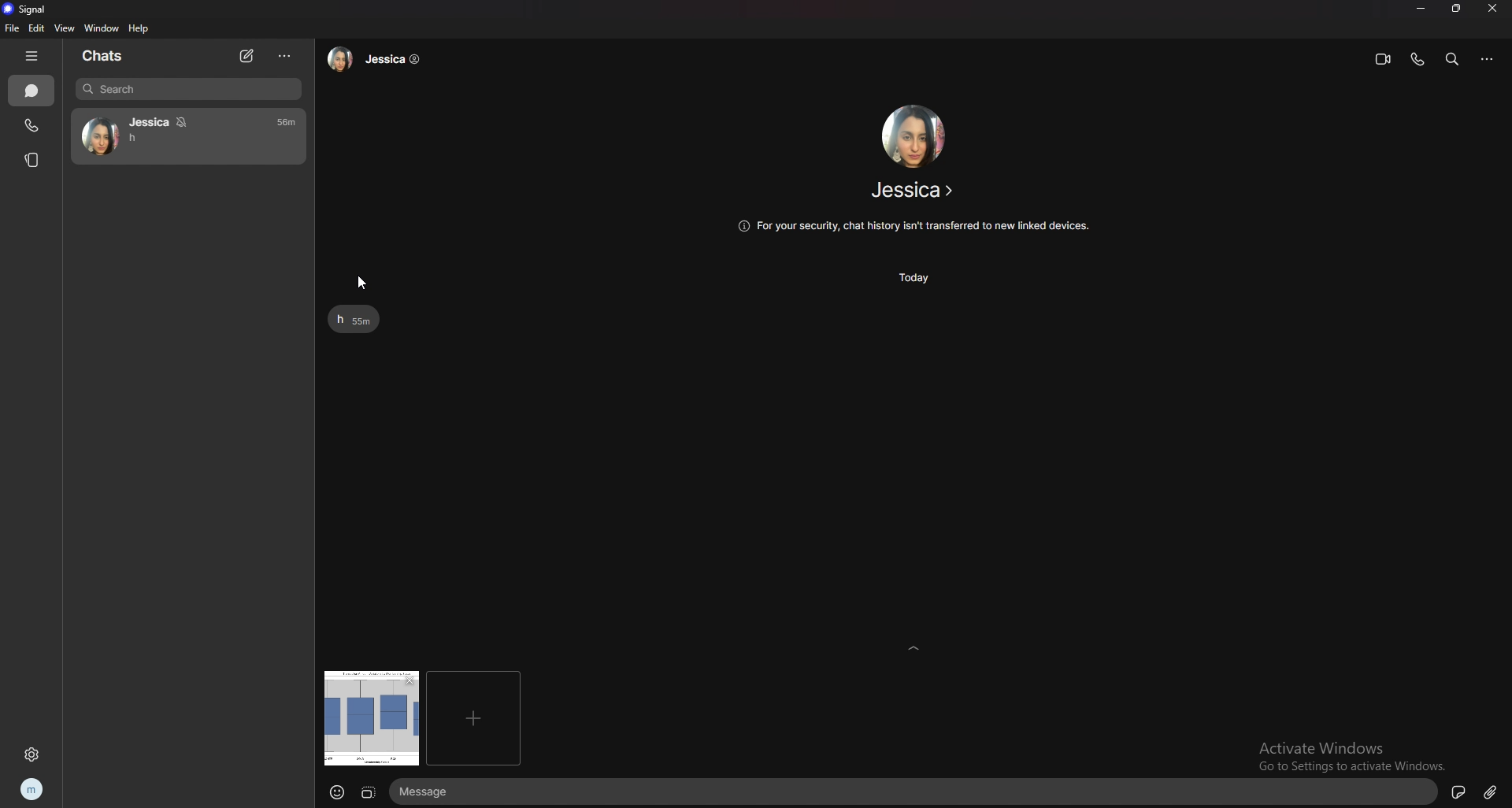 This screenshot has width=1512, height=808. What do you see at coordinates (247, 57) in the screenshot?
I see `new chat` at bounding box center [247, 57].